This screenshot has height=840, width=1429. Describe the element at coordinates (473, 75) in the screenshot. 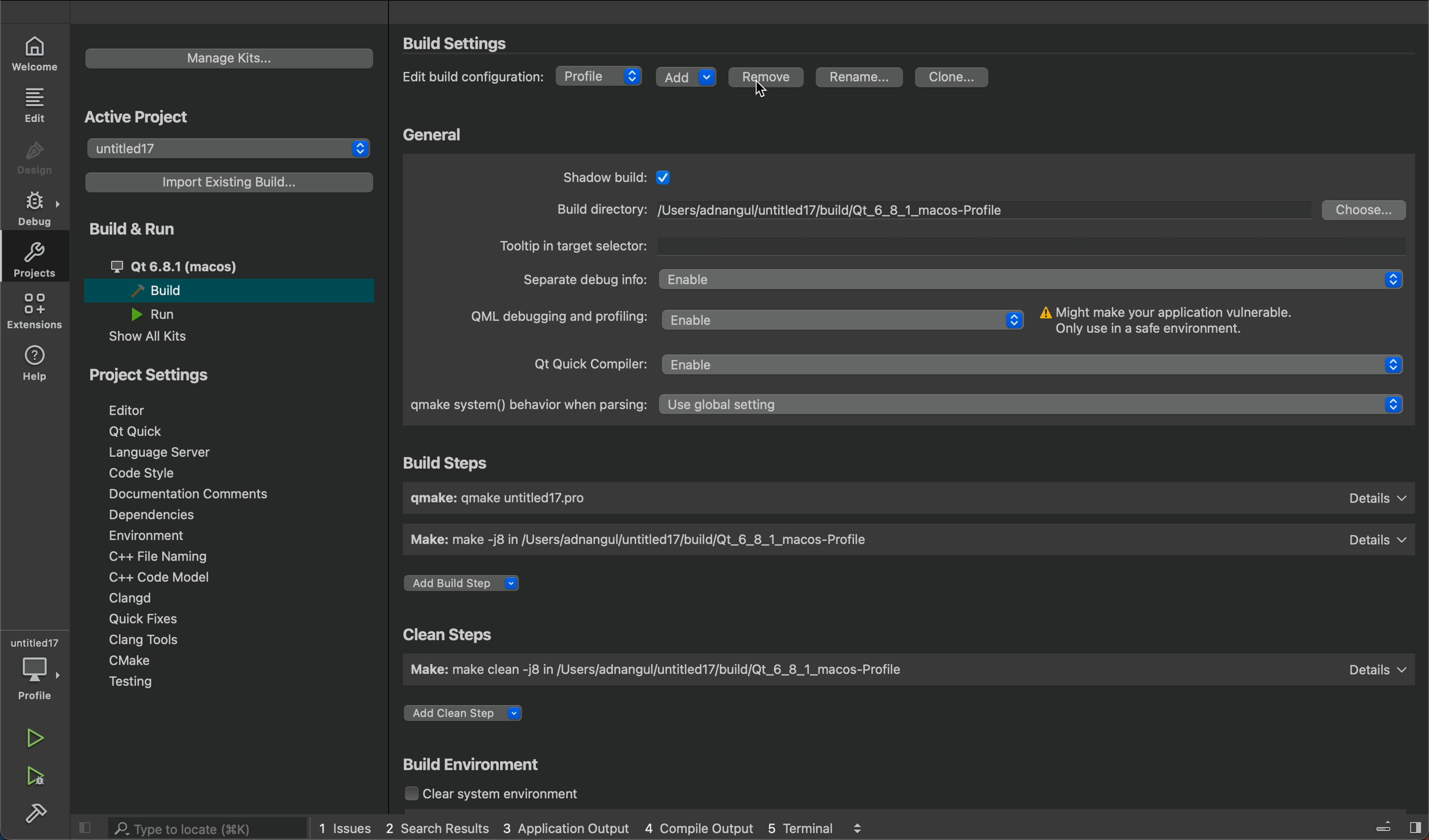

I see `edit configuration` at that location.